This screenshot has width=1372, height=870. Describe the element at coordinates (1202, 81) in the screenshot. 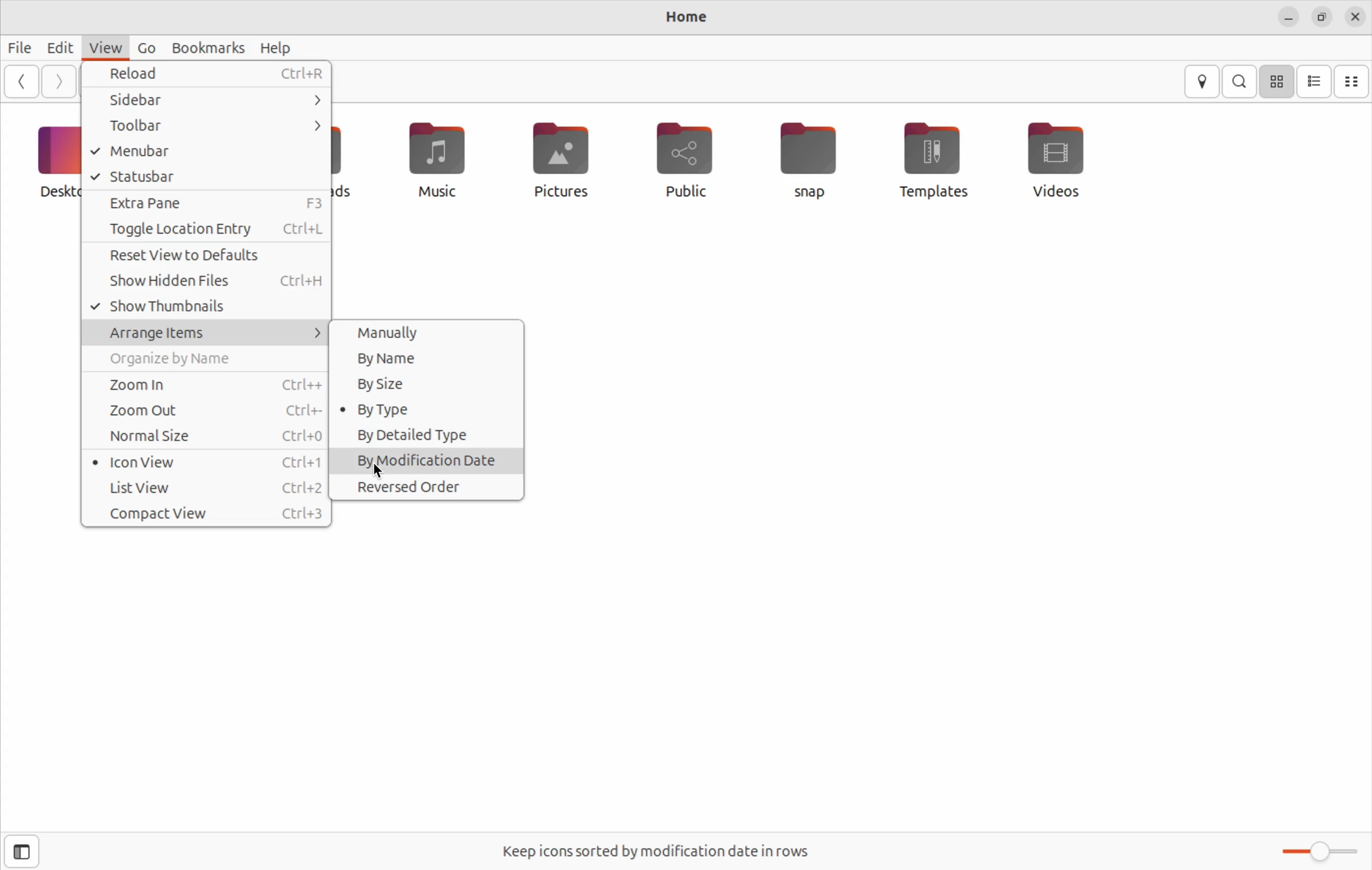

I see `location` at that location.